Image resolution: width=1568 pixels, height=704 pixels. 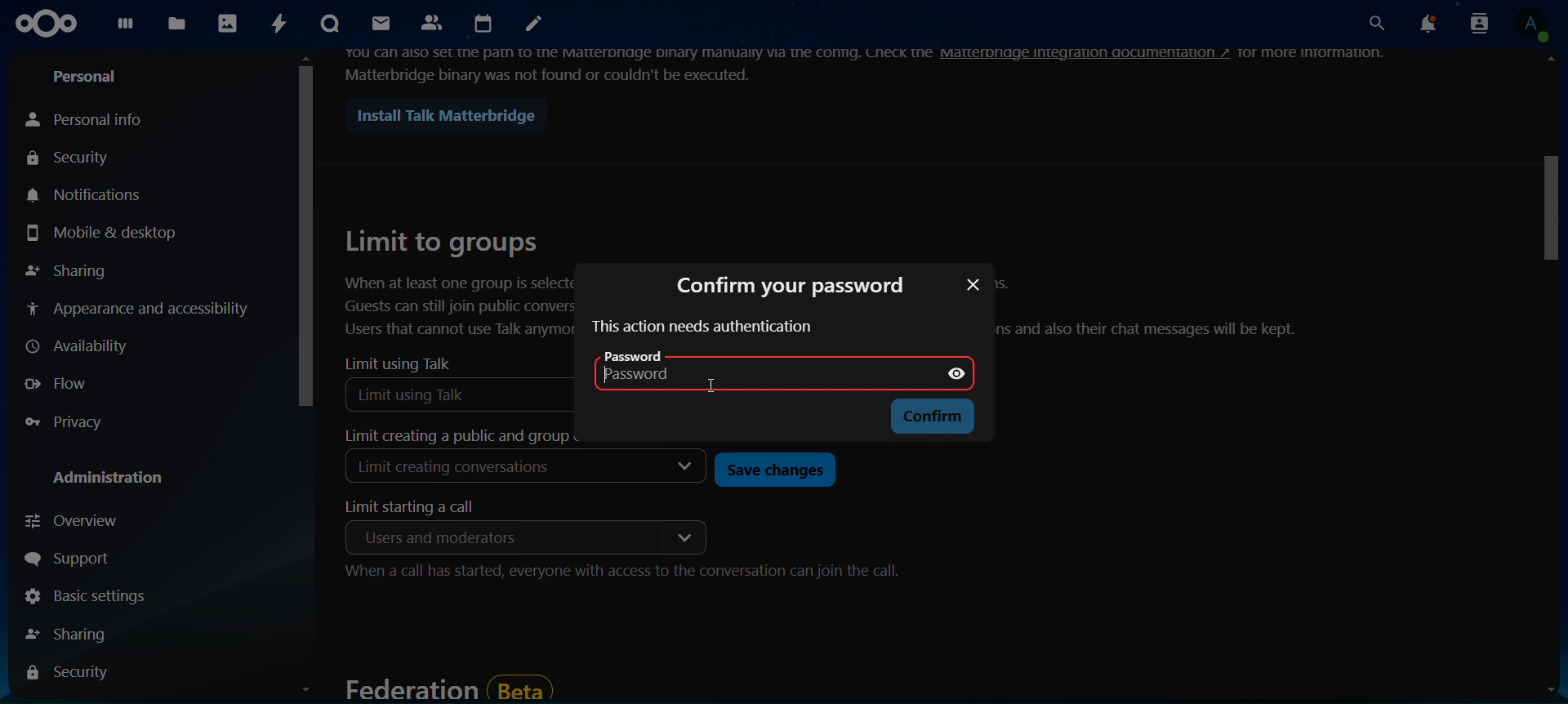 What do you see at coordinates (722, 390) in the screenshot?
I see `cursor` at bounding box center [722, 390].